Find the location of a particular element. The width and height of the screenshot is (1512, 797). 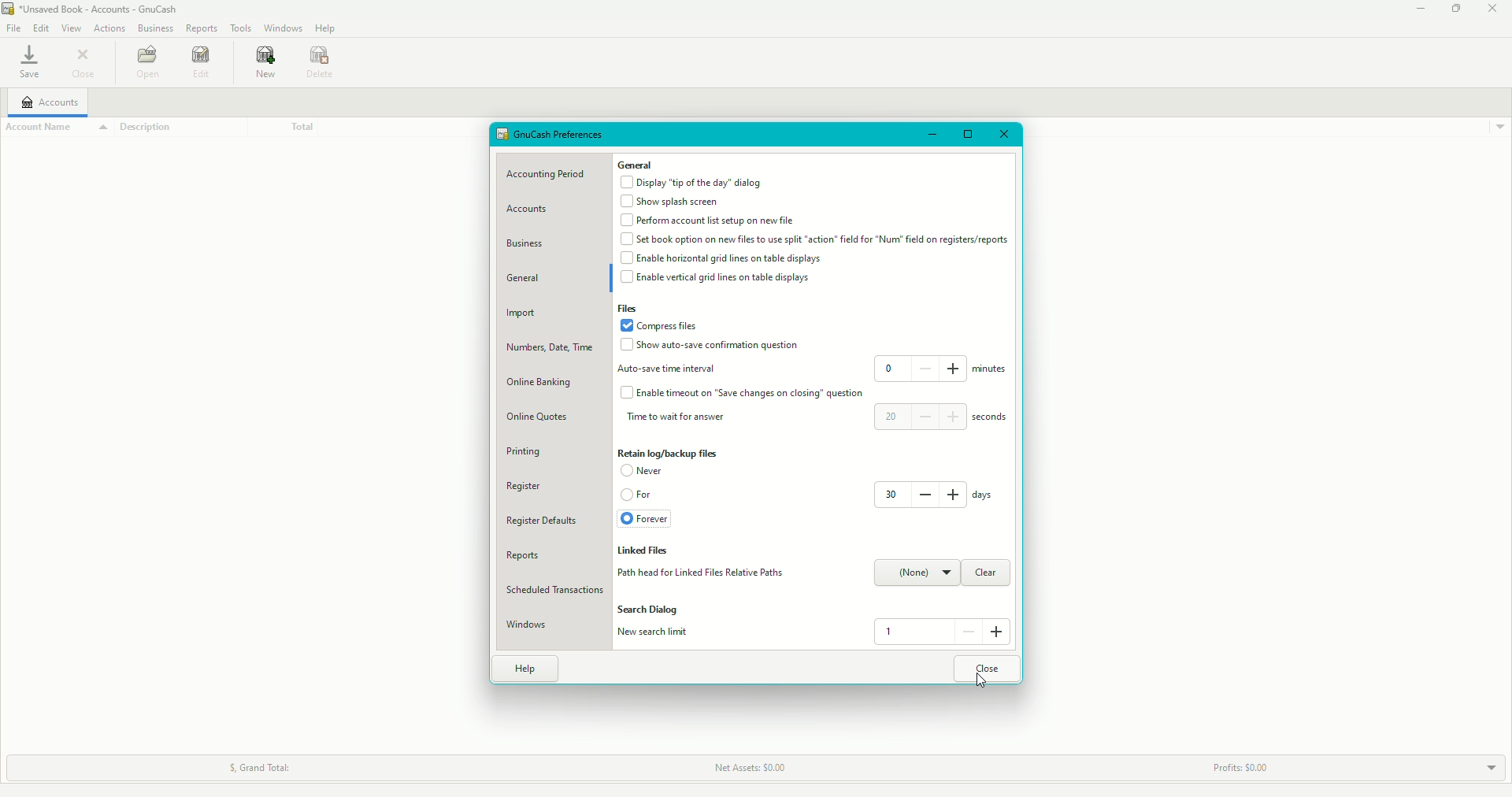

Open is located at coordinates (144, 61).